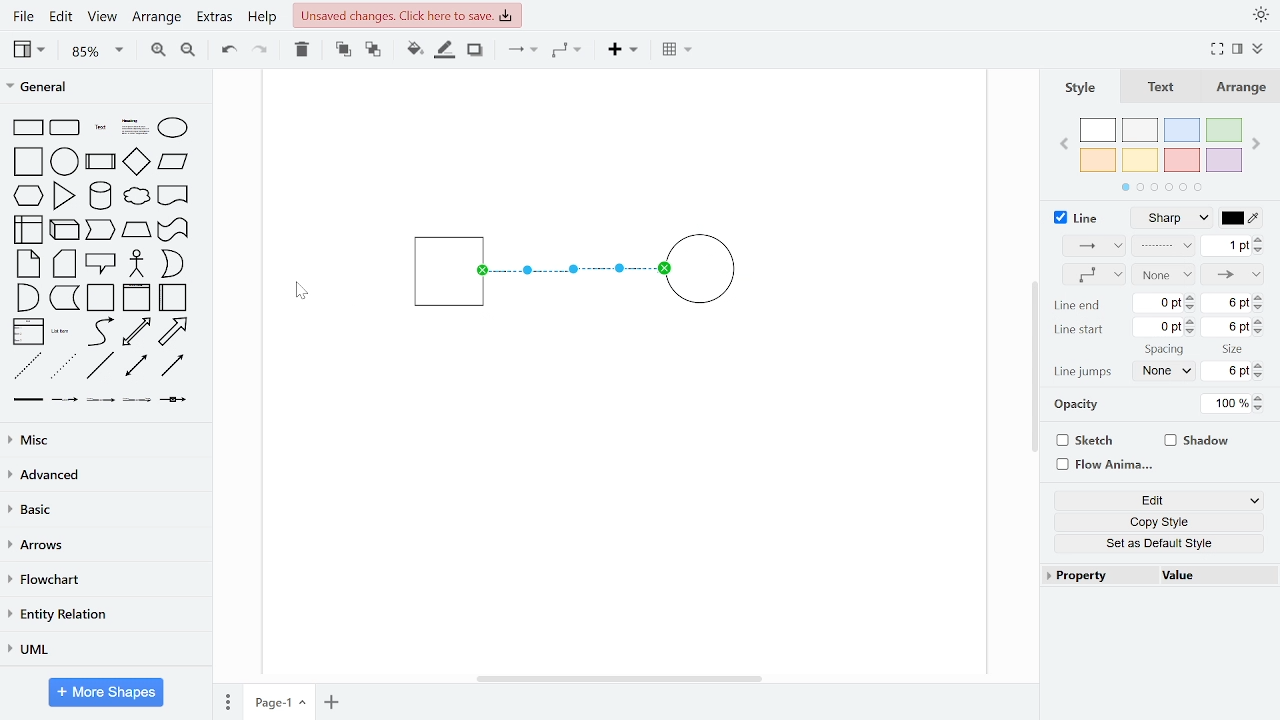 Image resolution: width=1280 pixels, height=720 pixels. What do you see at coordinates (1233, 303) in the screenshot?
I see `change line end size` at bounding box center [1233, 303].